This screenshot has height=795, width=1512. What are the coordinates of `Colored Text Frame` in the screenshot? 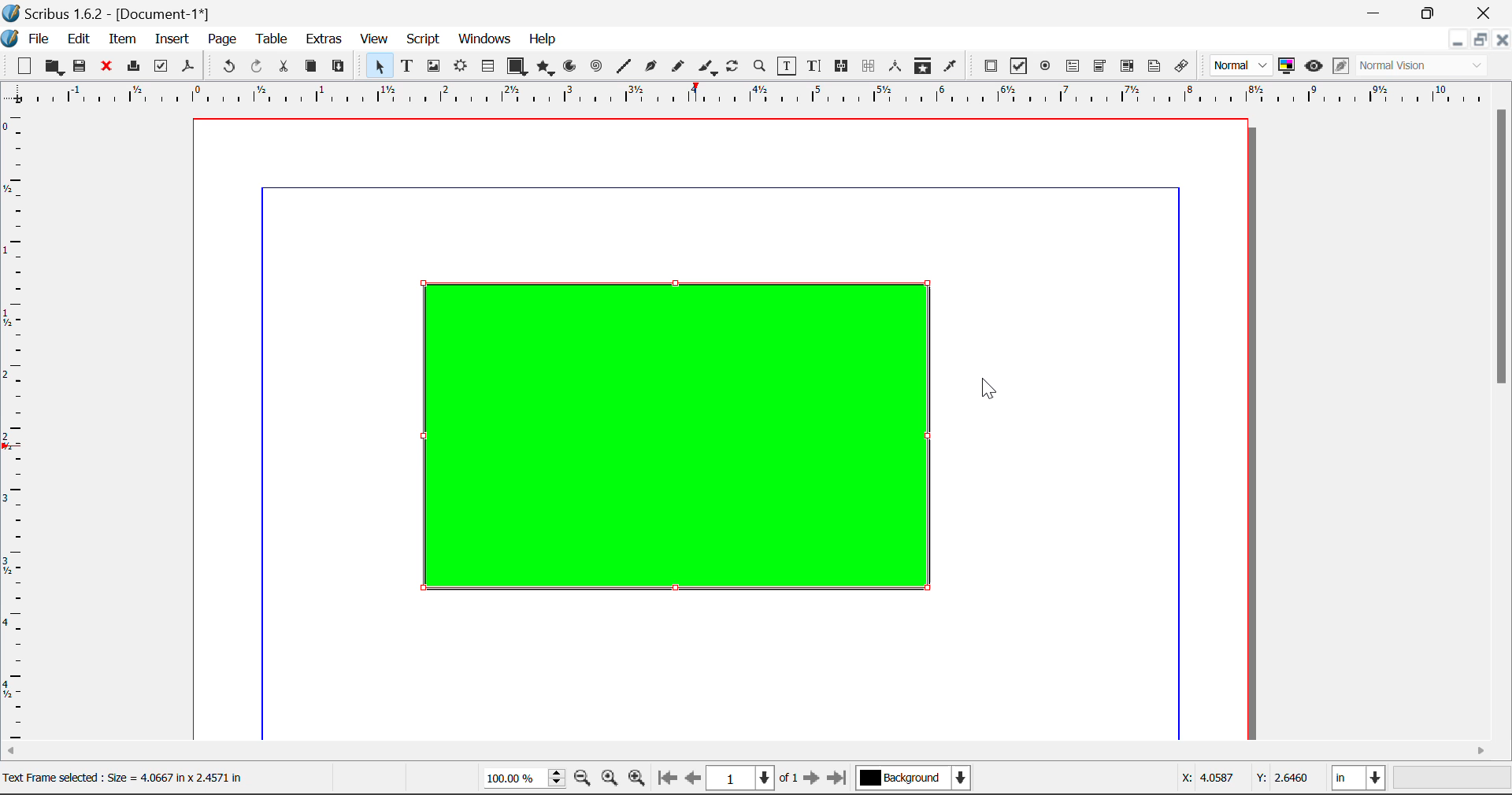 It's located at (658, 442).